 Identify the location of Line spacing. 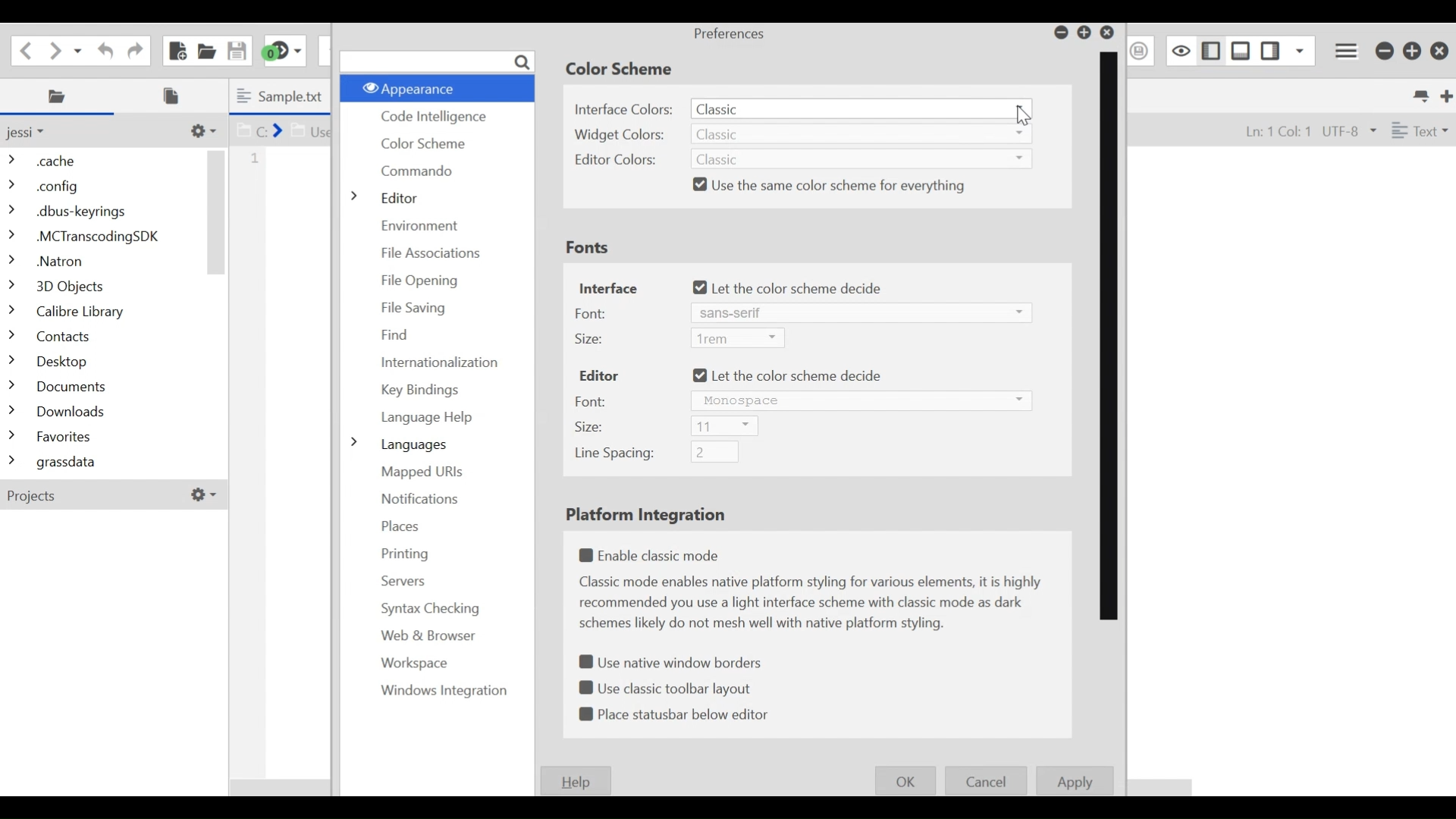
(614, 455).